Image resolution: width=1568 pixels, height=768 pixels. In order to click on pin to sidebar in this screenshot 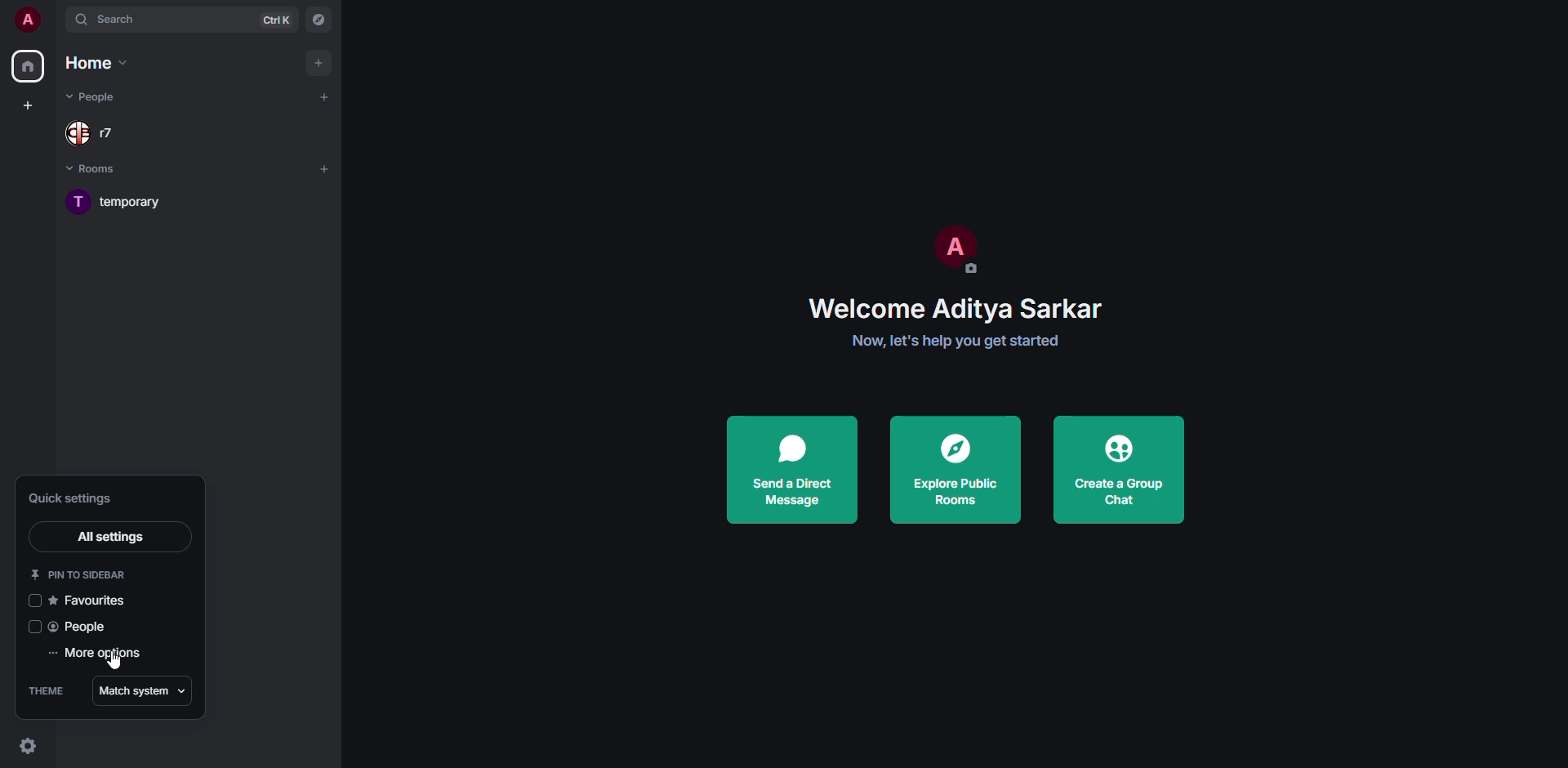, I will do `click(78, 575)`.